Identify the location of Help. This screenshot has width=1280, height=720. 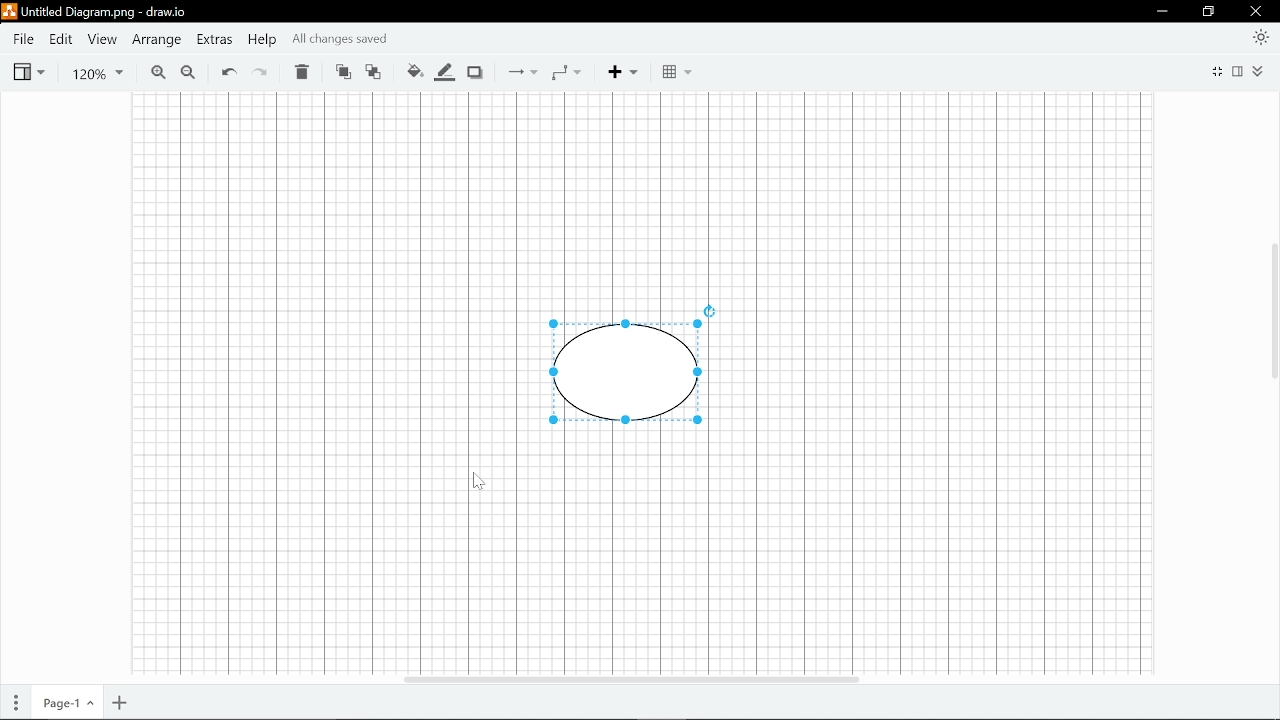
(261, 39).